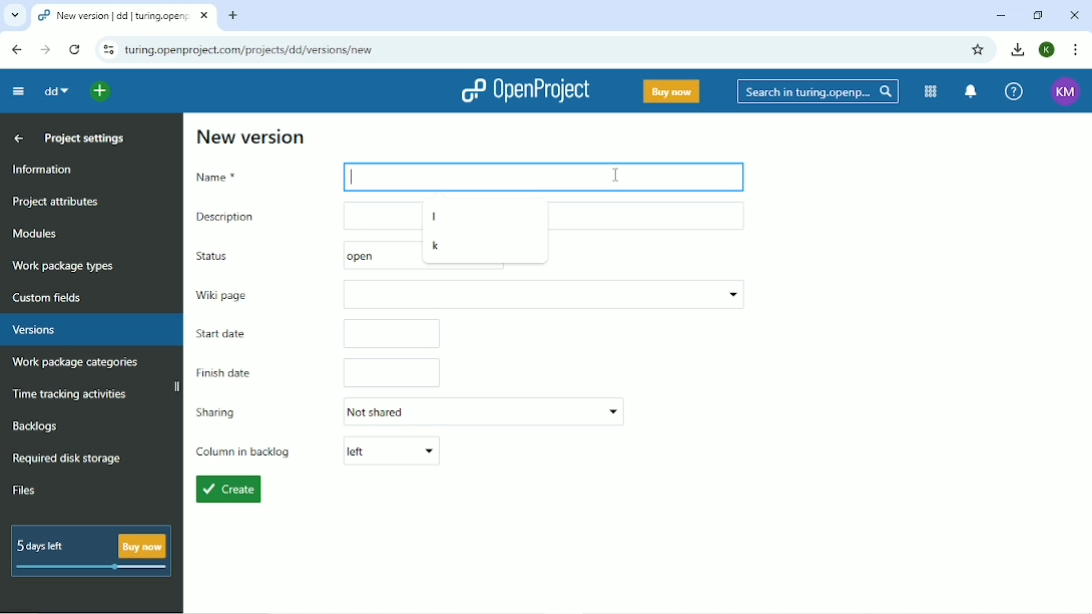 This screenshot has width=1092, height=614. Describe the element at coordinates (24, 489) in the screenshot. I see `Files` at that location.